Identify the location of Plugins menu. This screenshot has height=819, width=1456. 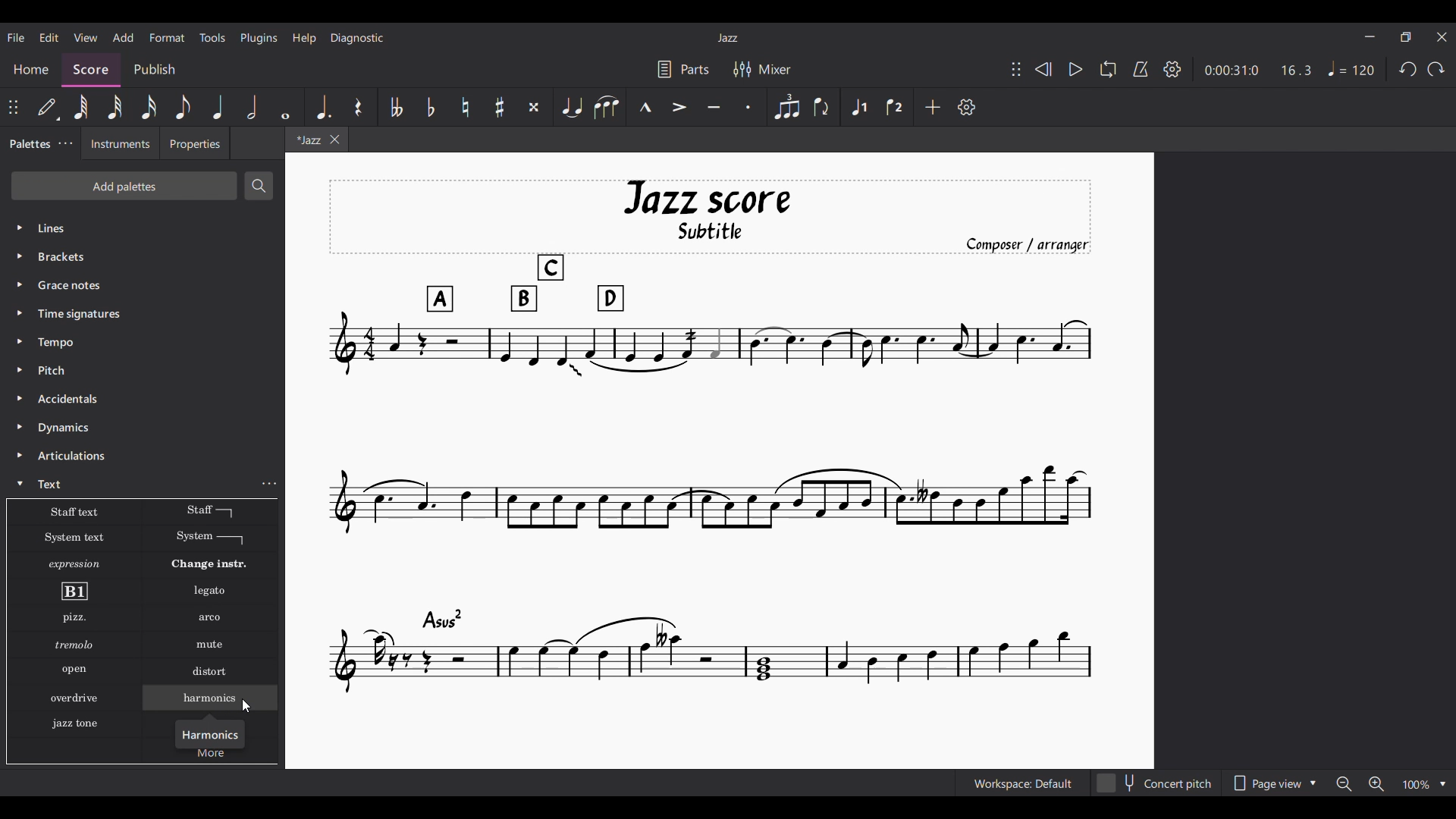
(259, 38).